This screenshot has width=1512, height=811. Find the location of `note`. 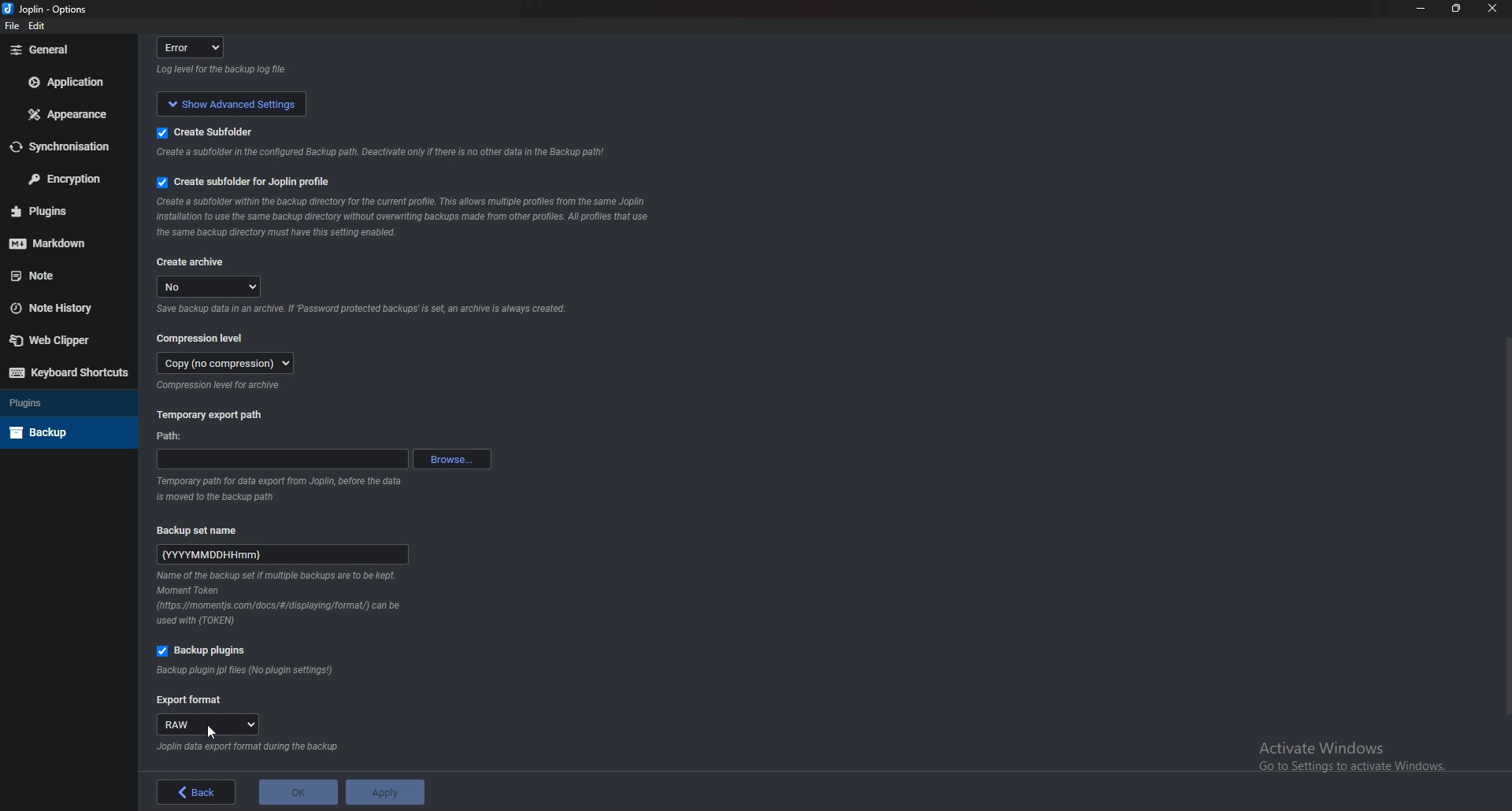

note is located at coordinates (65, 275).